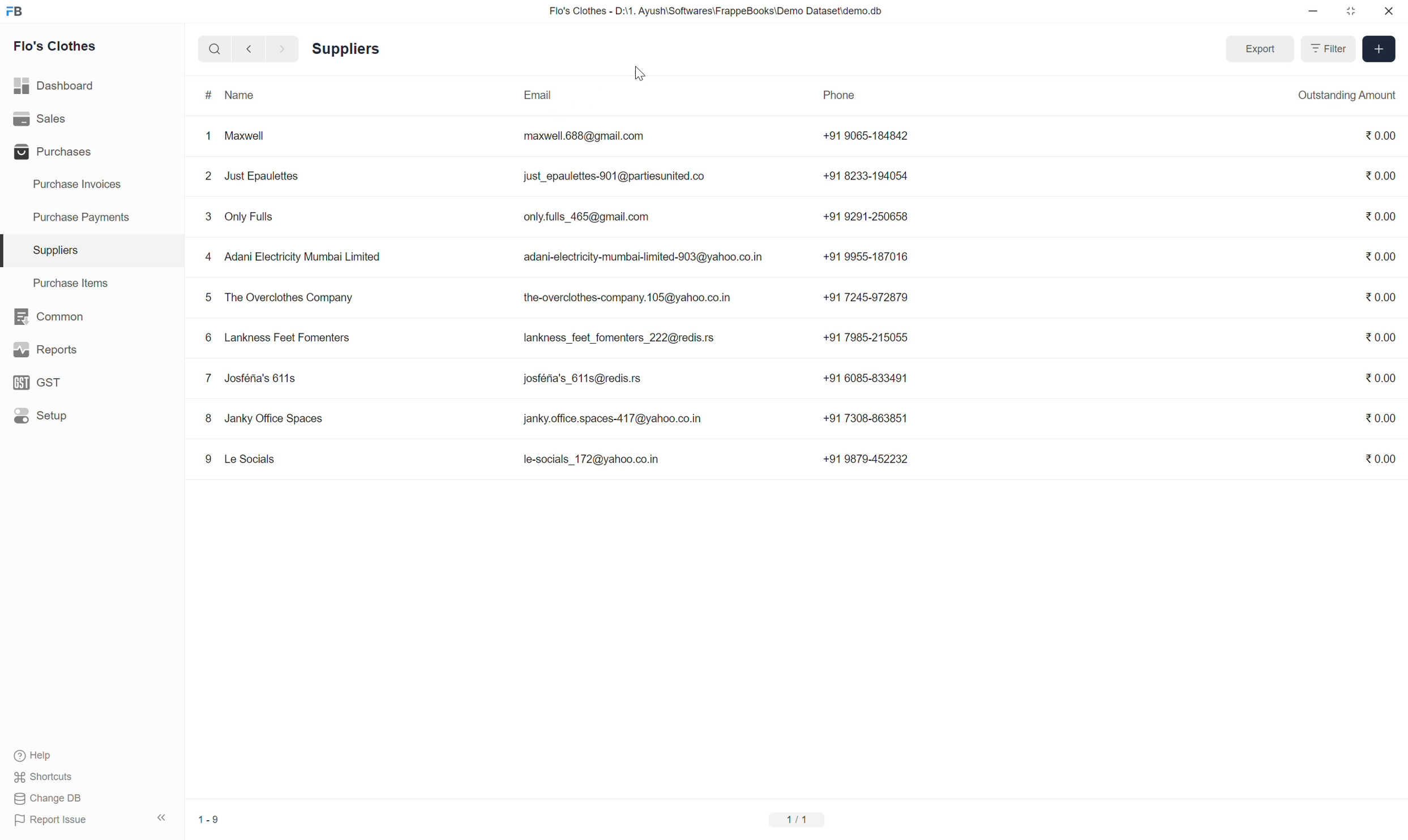  Describe the element at coordinates (591, 460) in the screenshot. I see `le-socials_172@yahoo.co.in` at that location.